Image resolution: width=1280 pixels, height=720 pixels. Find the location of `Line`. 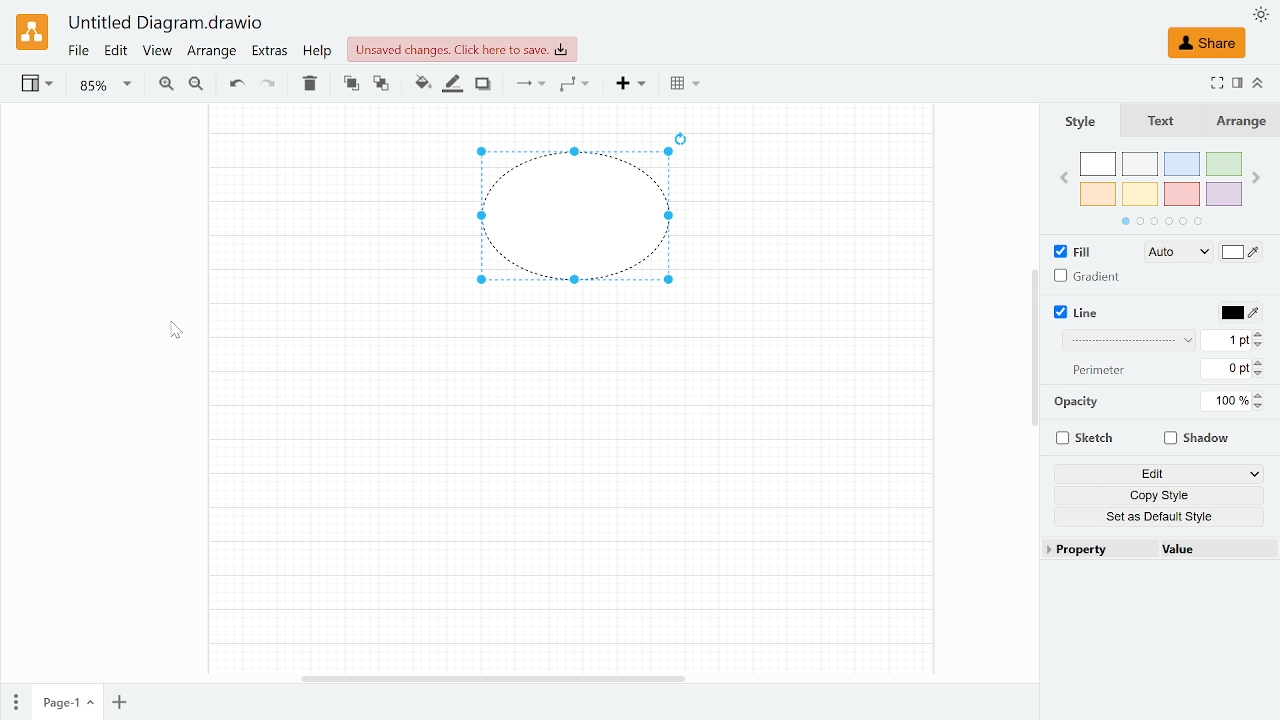

Line is located at coordinates (1090, 313).